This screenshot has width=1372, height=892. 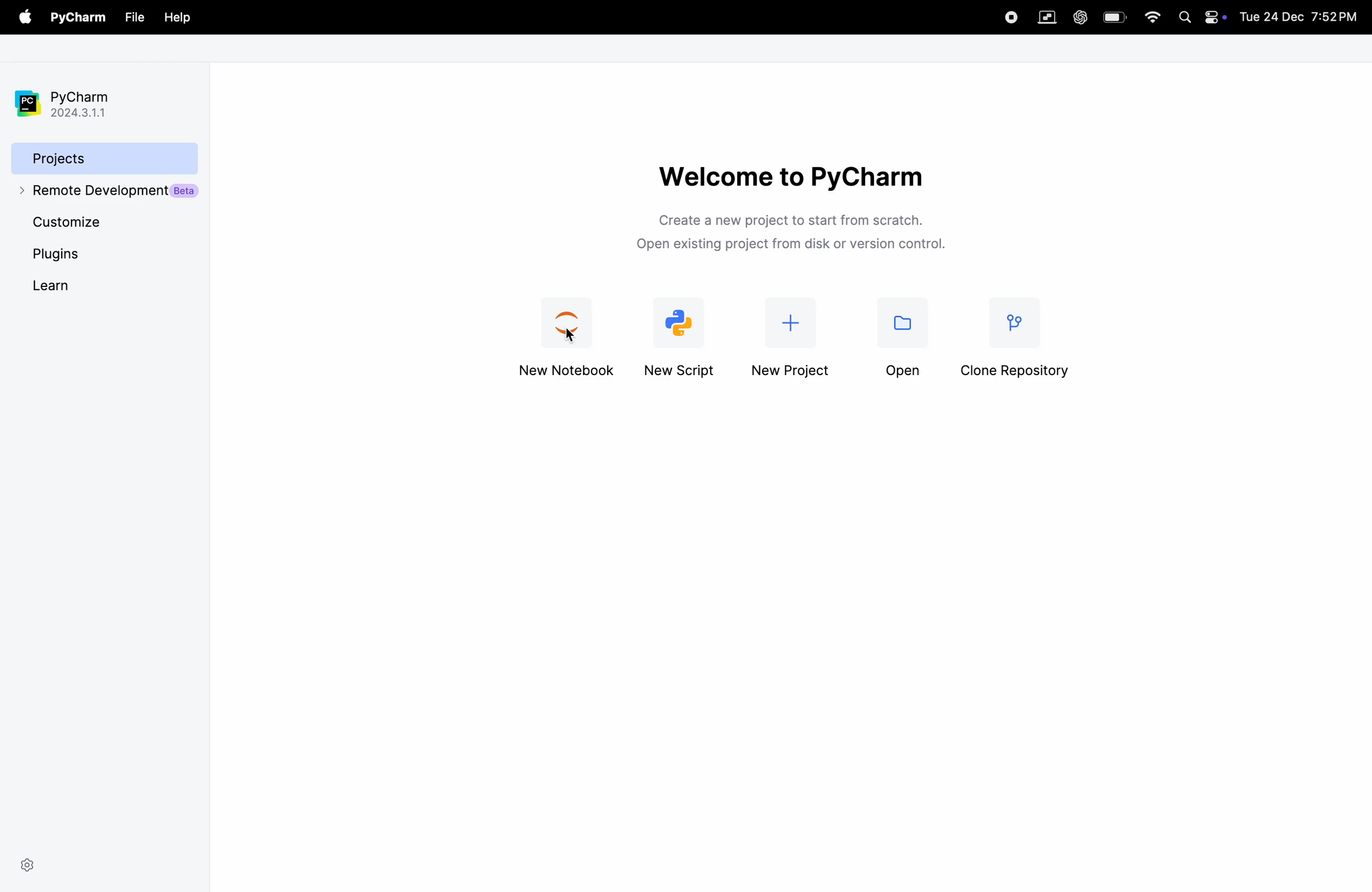 What do you see at coordinates (568, 333) in the screenshot?
I see `new jupyter notebook` at bounding box center [568, 333].